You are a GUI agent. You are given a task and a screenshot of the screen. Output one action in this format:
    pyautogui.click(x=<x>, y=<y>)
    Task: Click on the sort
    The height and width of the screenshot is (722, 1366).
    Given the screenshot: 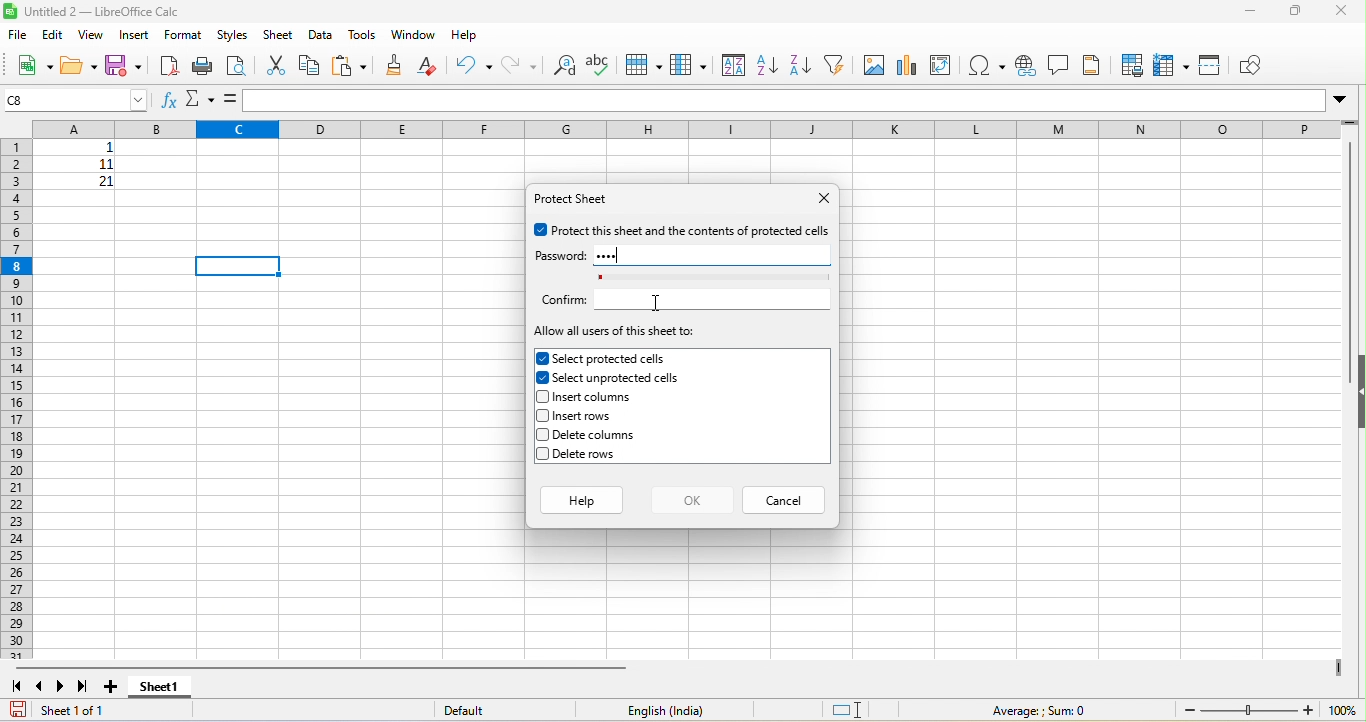 What is the action you would take?
    pyautogui.click(x=733, y=64)
    